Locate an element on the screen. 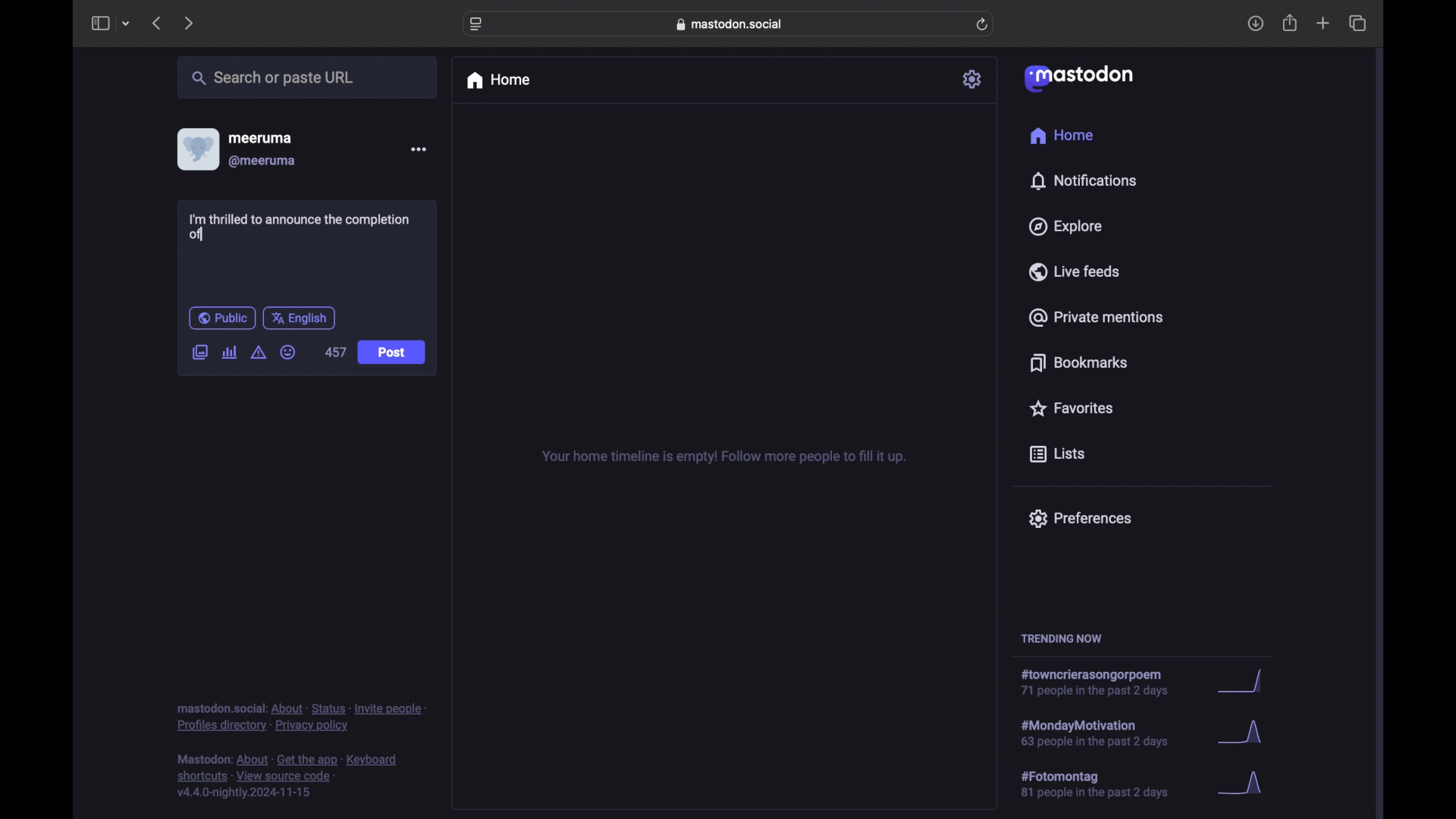 The image size is (1456, 819). share is located at coordinates (1291, 23).